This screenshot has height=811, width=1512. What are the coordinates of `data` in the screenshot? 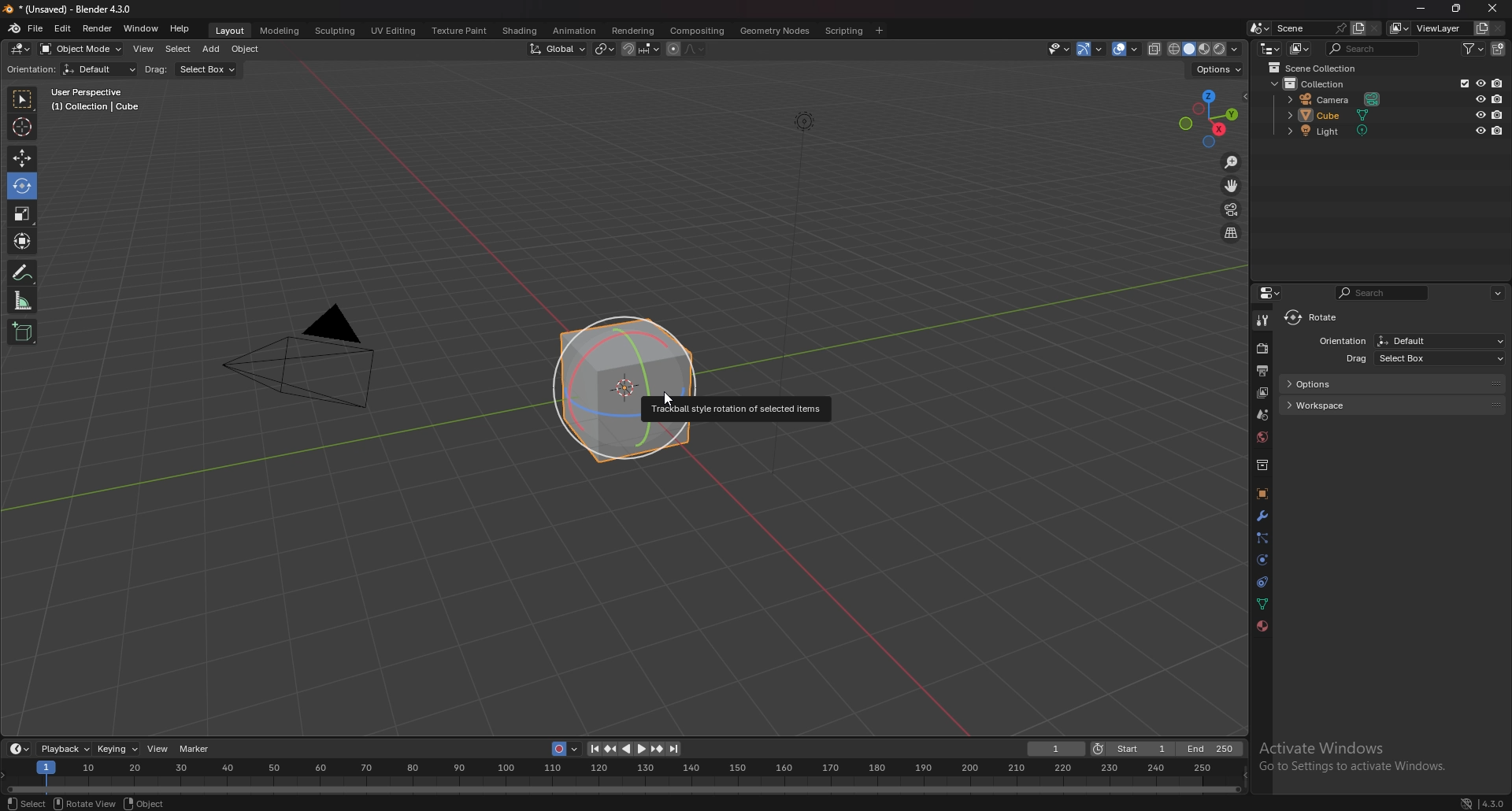 It's located at (1264, 602).